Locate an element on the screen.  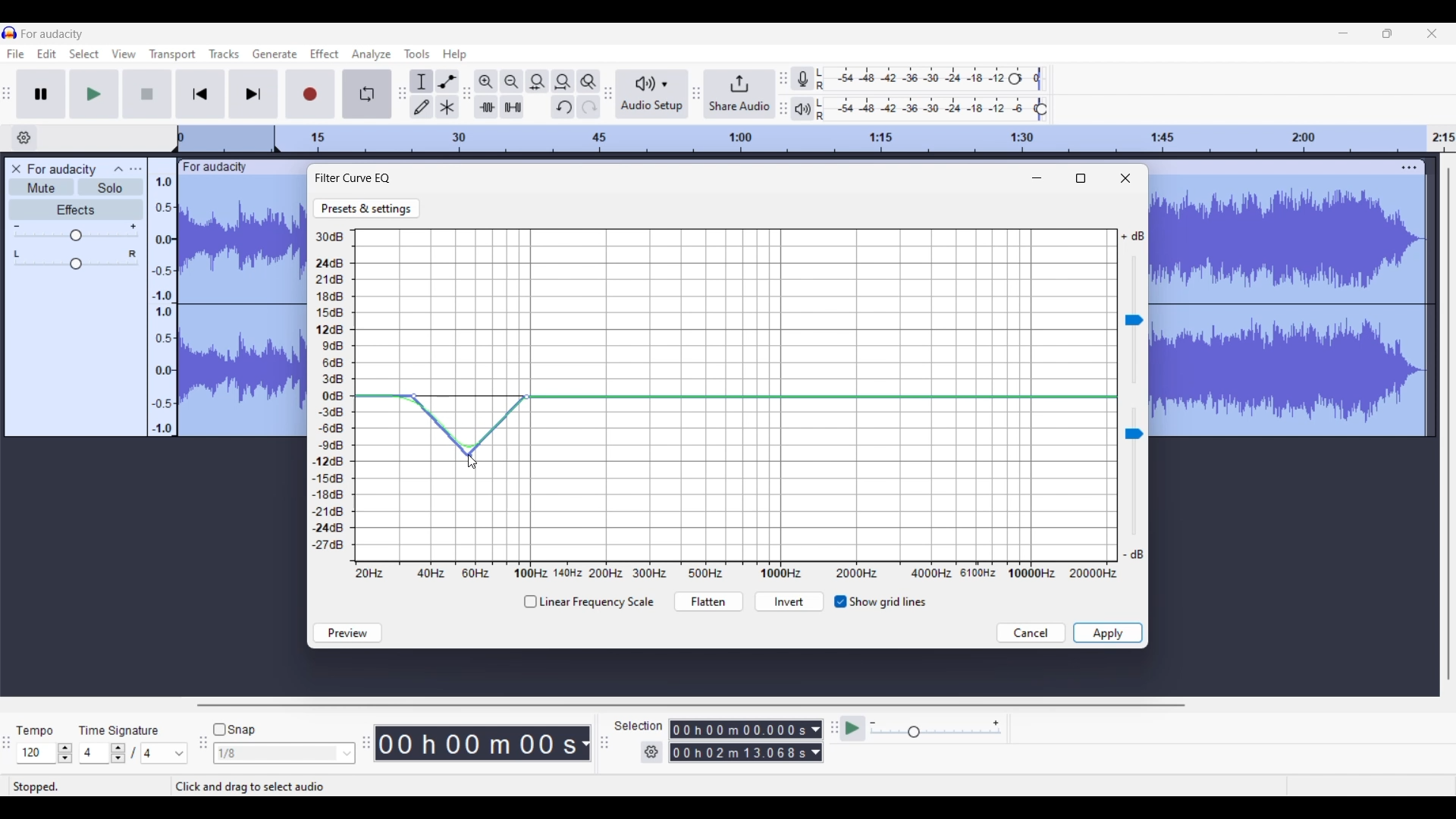
Status of current recording is located at coordinates (88, 787).